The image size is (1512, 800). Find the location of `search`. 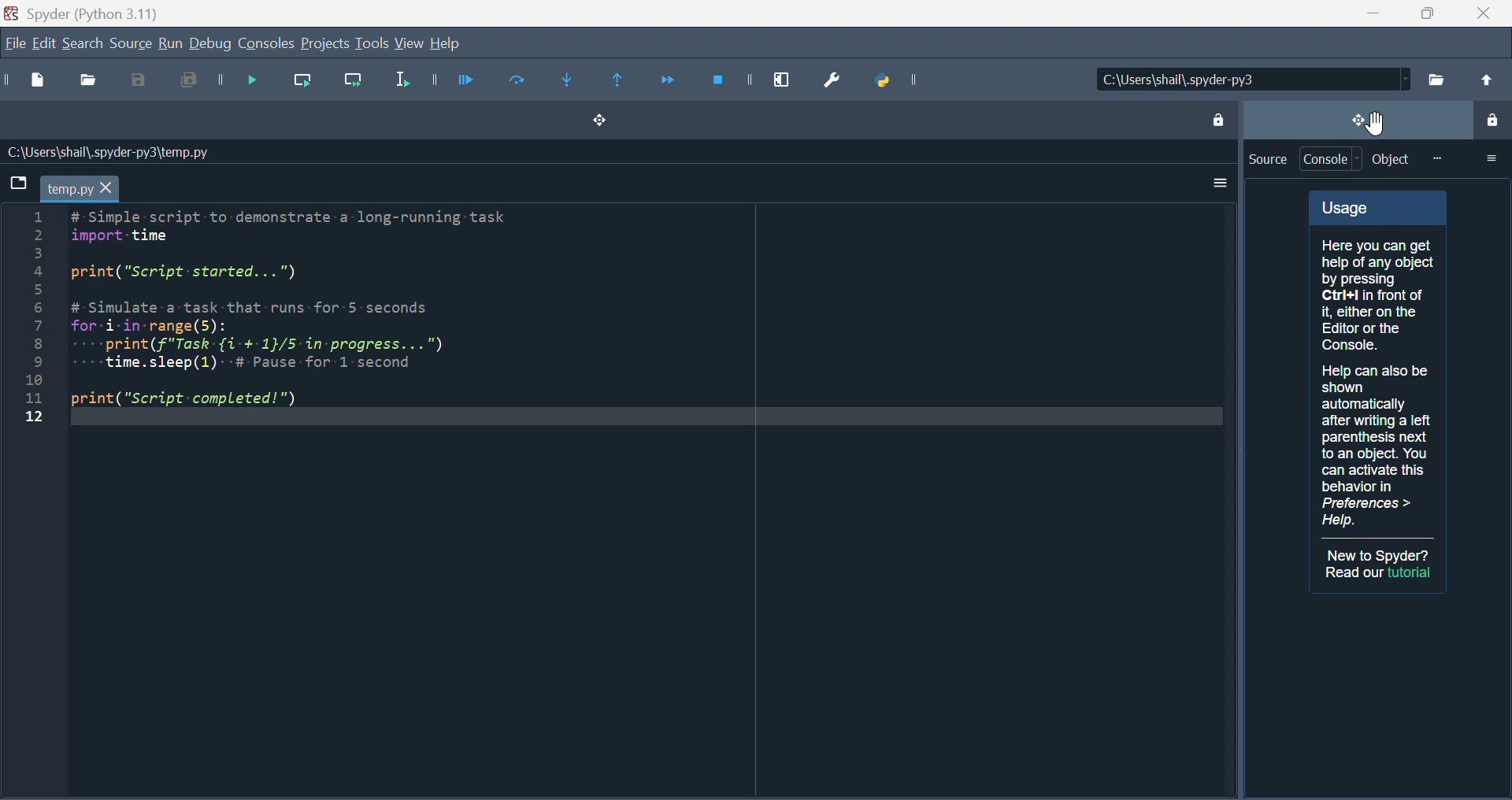

search is located at coordinates (83, 43).